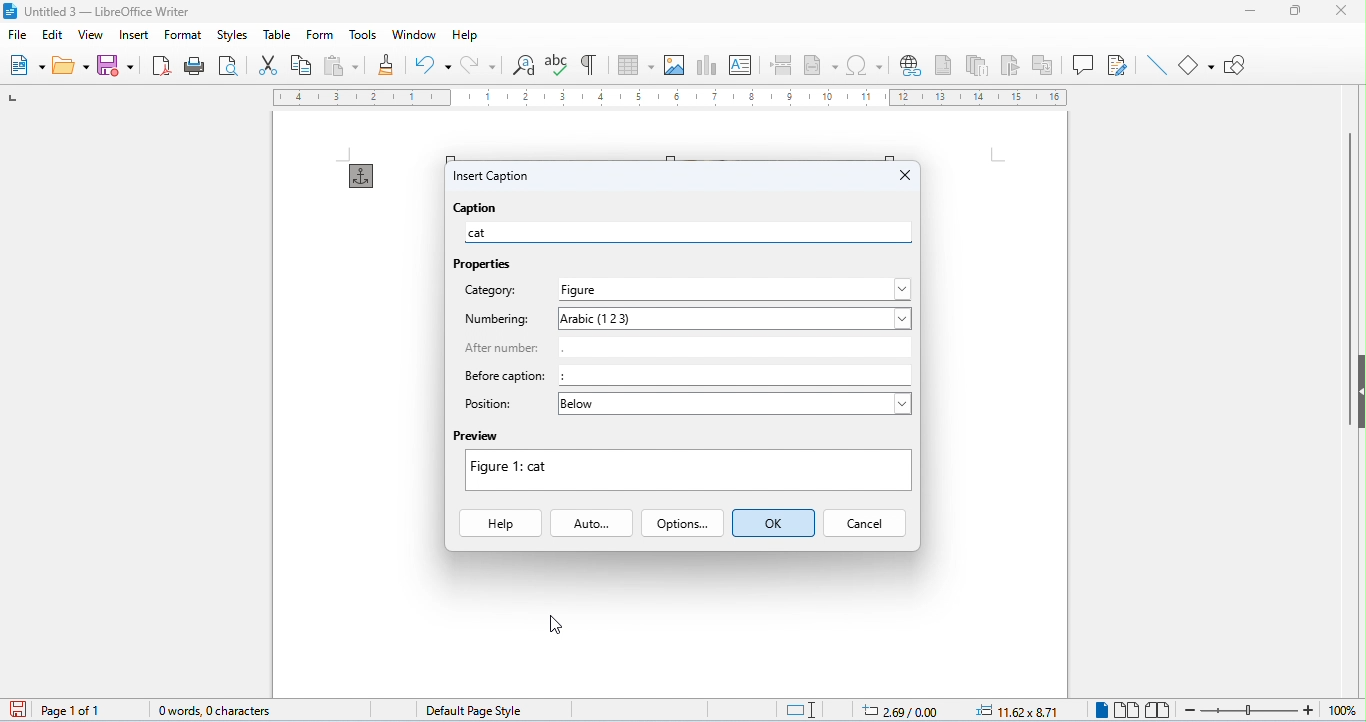 This screenshot has width=1366, height=722. What do you see at coordinates (476, 64) in the screenshot?
I see `redo` at bounding box center [476, 64].